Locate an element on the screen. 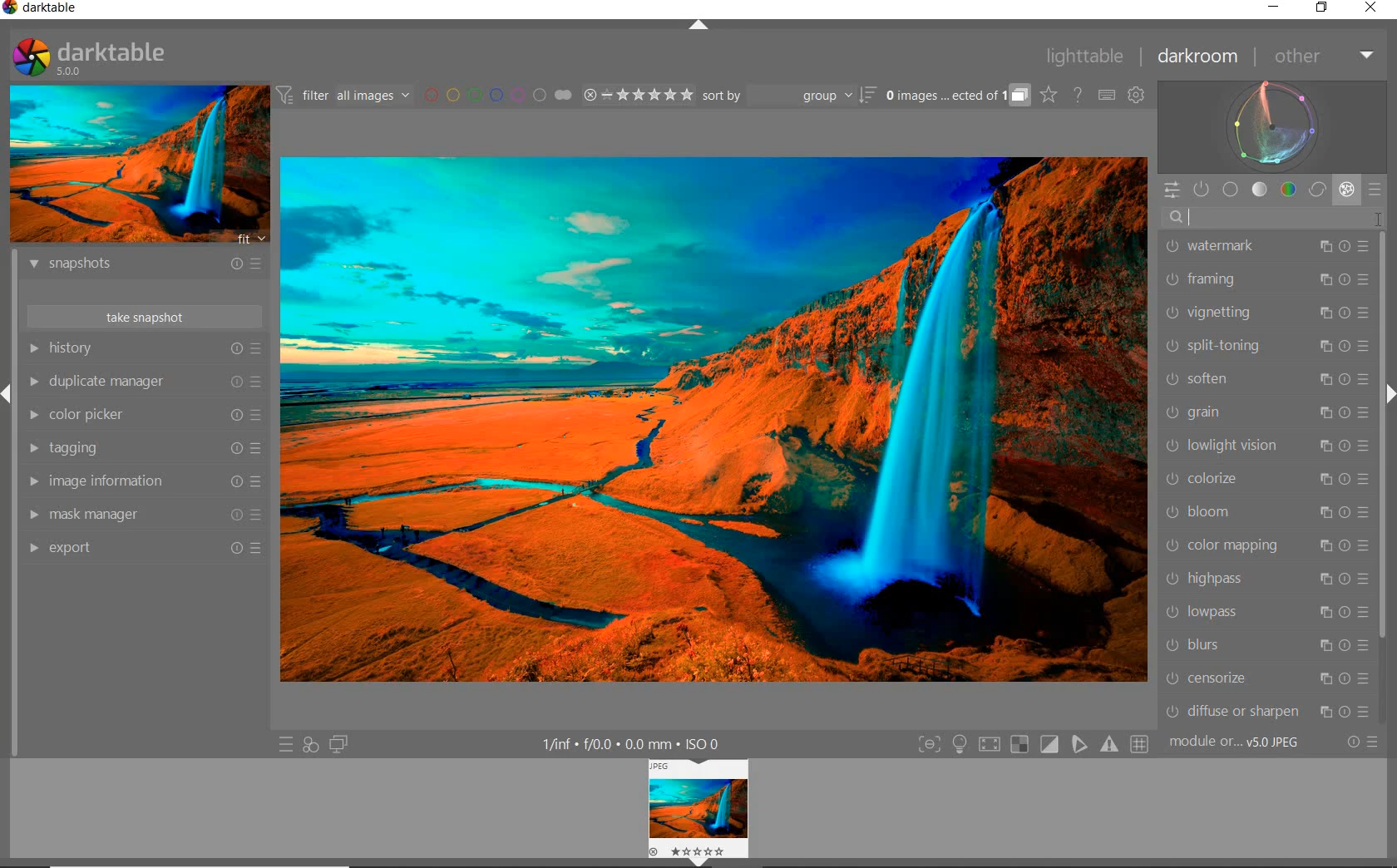 This screenshot has width=1397, height=868. color mapping is located at coordinates (1266, 545).